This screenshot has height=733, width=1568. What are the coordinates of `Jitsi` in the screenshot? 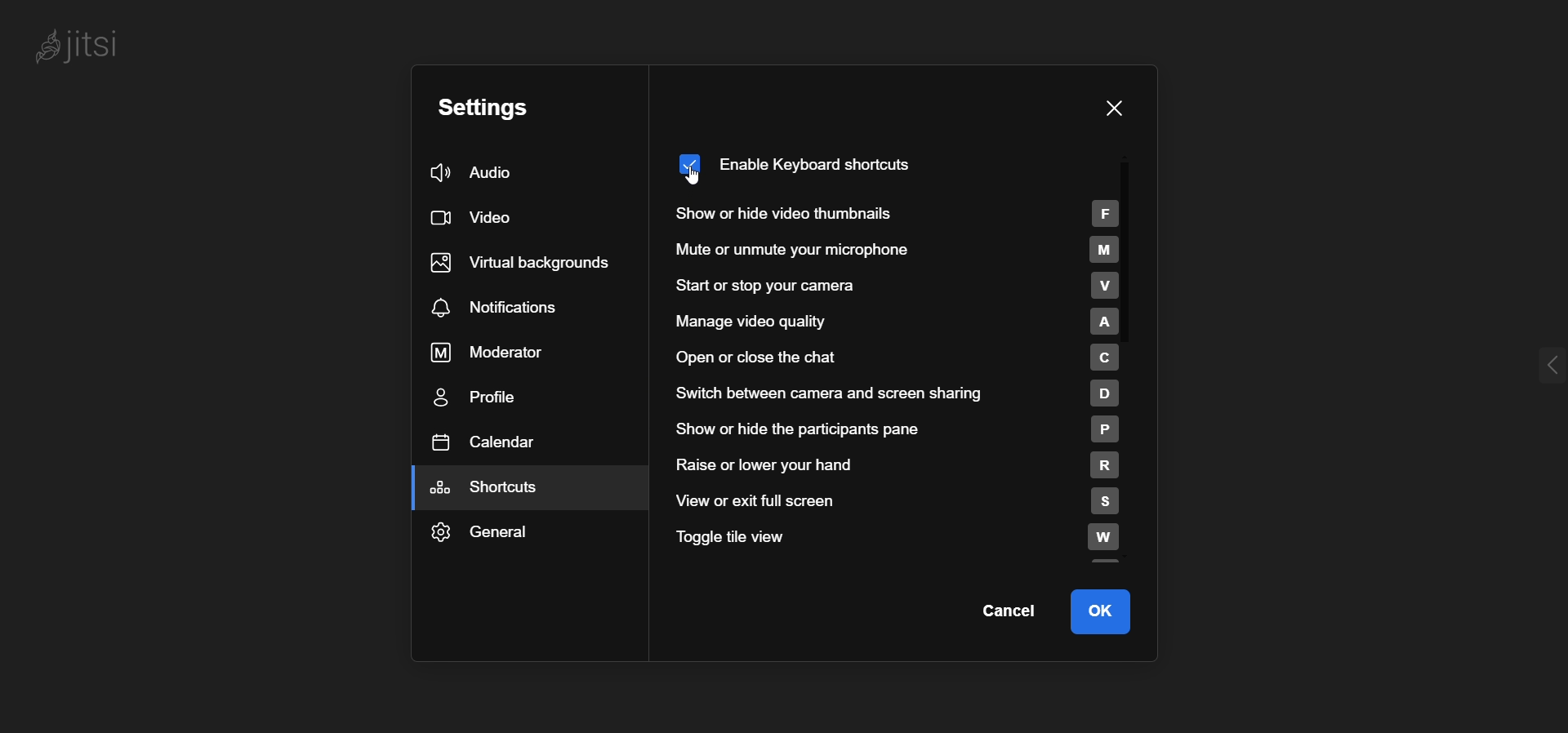 It's located at (82, 49).